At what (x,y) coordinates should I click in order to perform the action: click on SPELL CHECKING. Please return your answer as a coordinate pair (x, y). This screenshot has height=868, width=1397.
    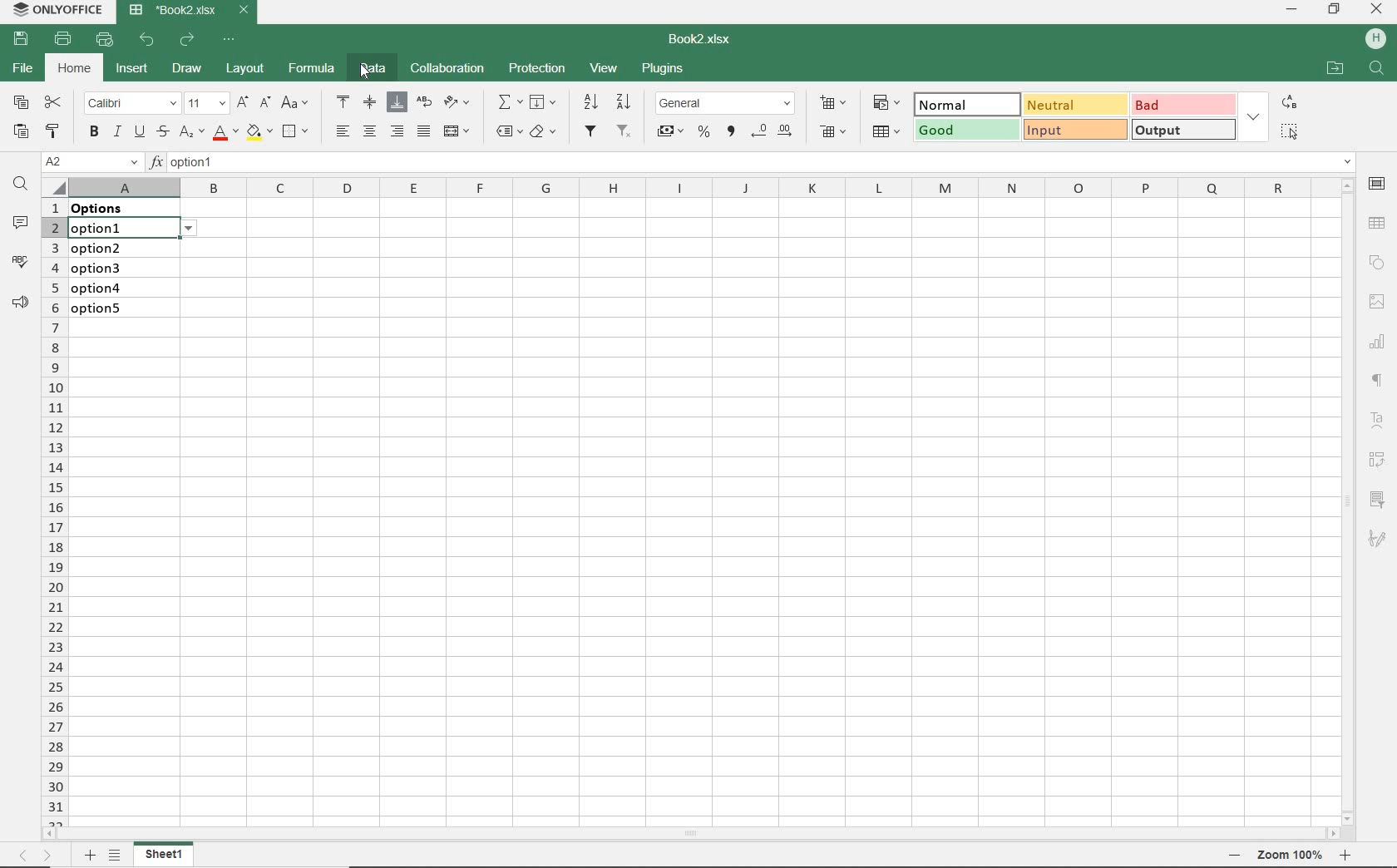
    Looking at the image, I should click on (17, 259).